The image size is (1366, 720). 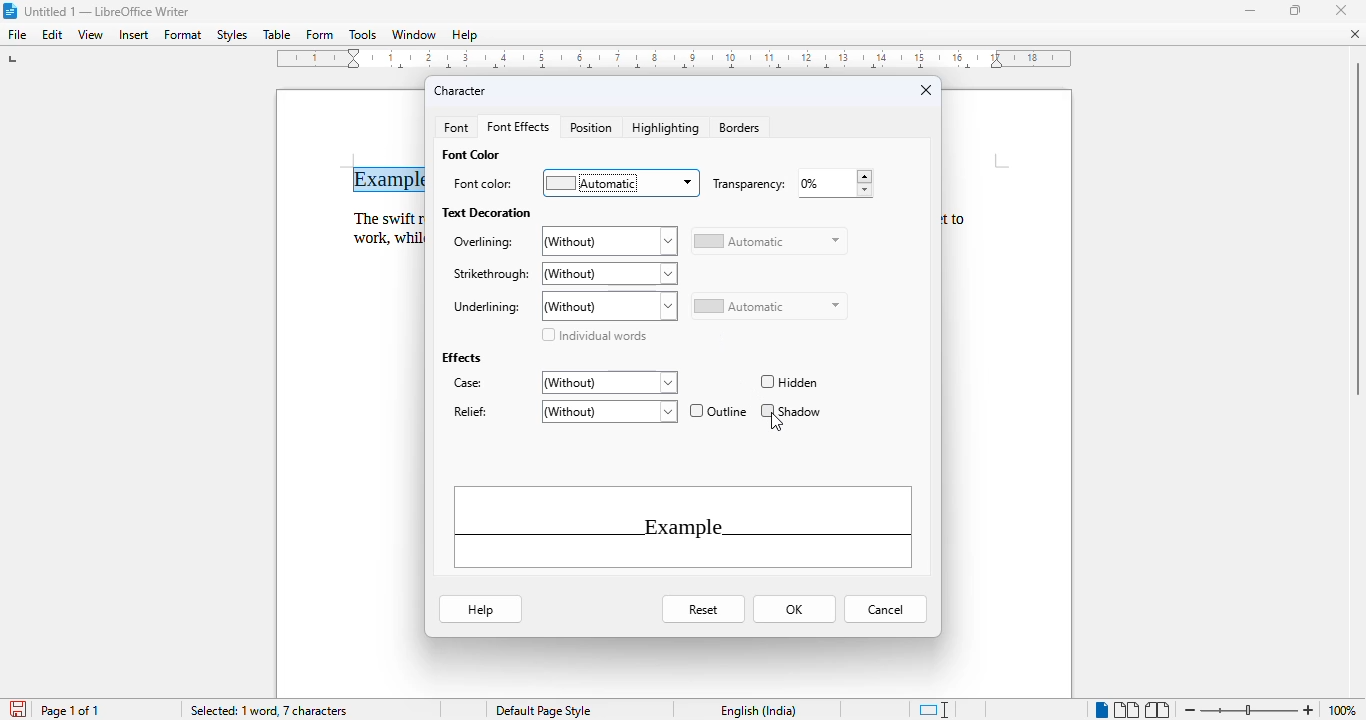 I want to click on format, so click(x=184, y=34).